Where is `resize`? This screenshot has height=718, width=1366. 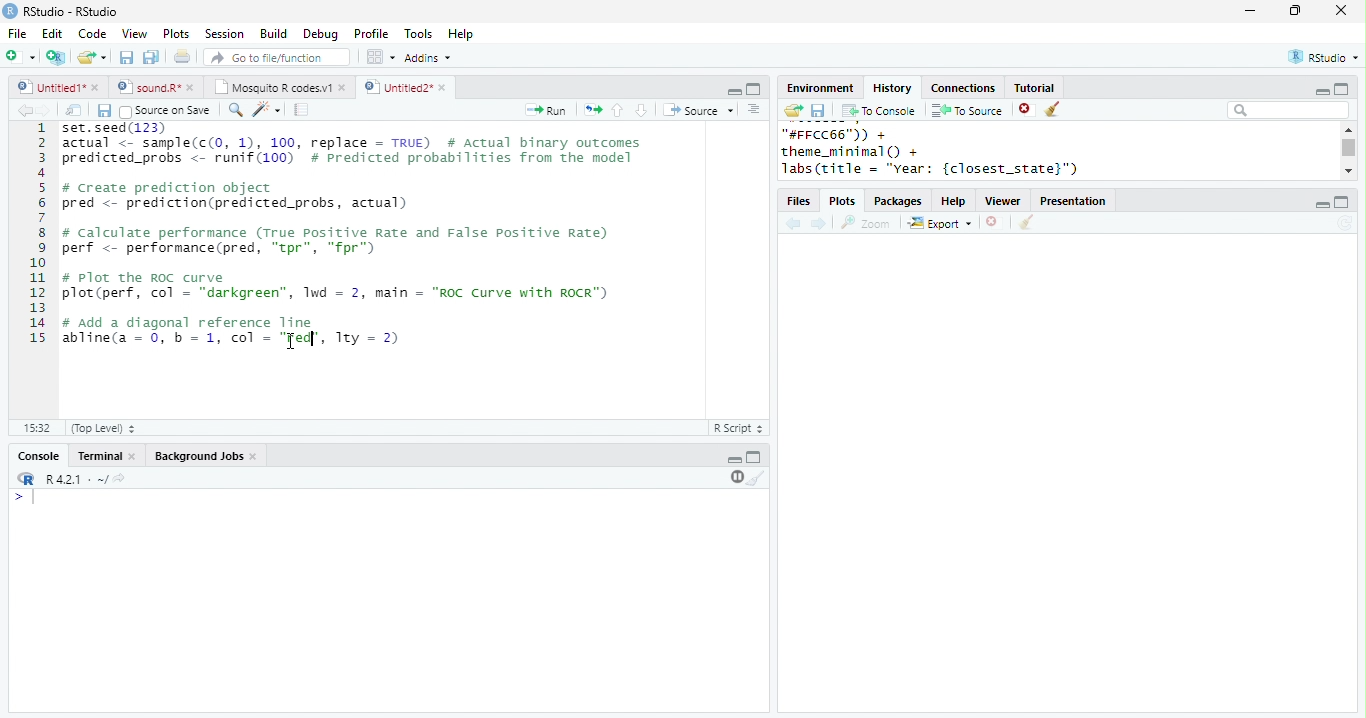 resize is located at coordinates (1295, 11).